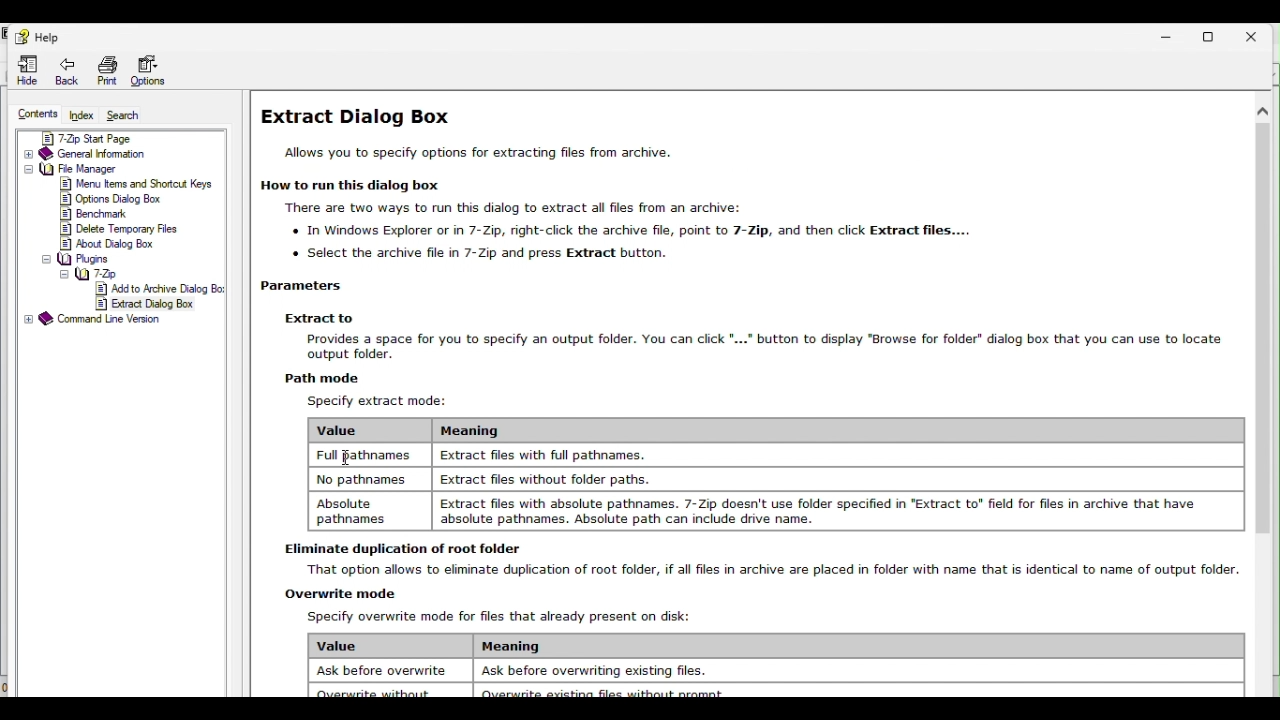 This screenshot has width=1280, height=720. I want to click on restore, so click(1210, 37).